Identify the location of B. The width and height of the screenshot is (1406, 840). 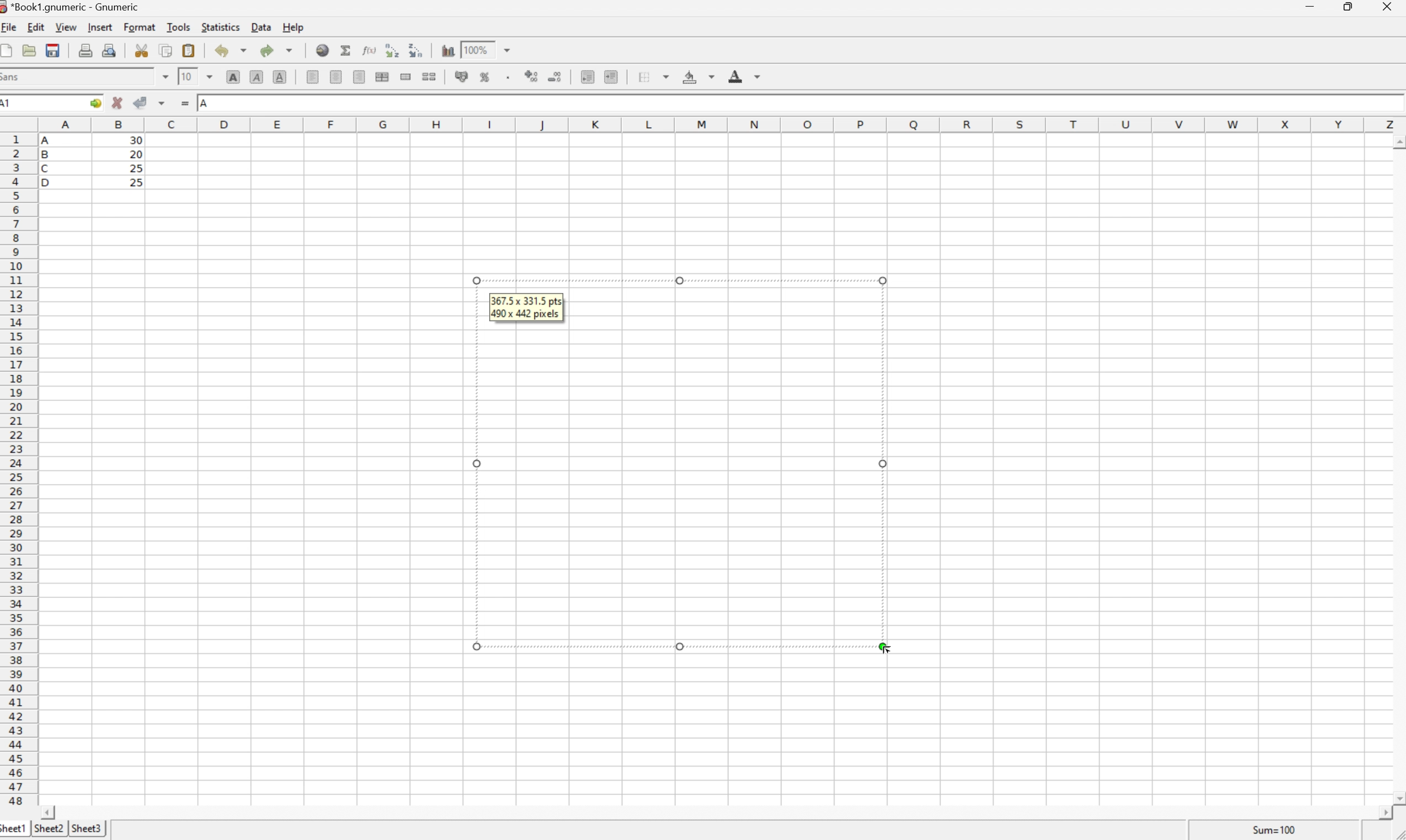
(49, 156).